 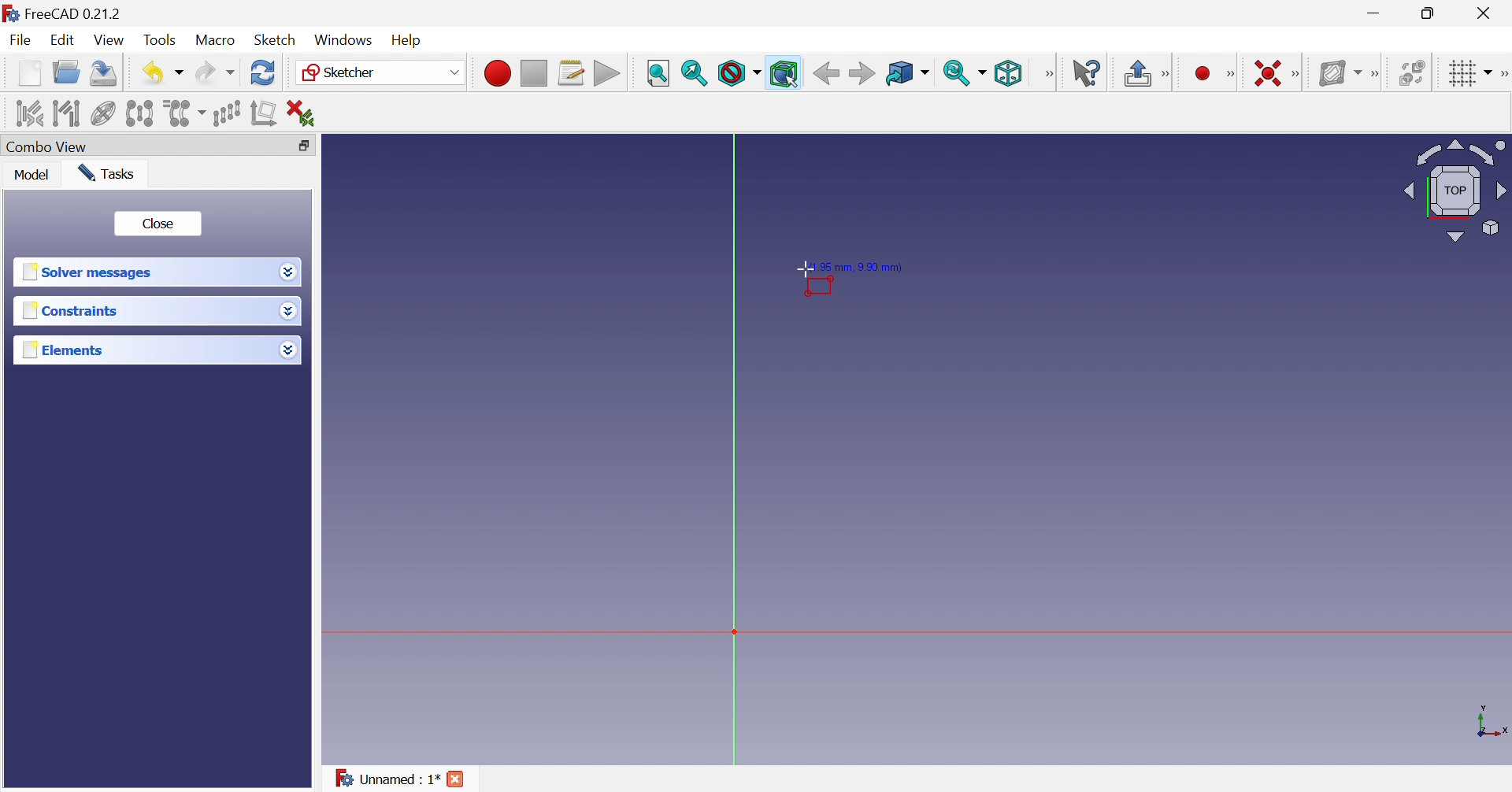 What do you see at coordinates (1469, 72) in the screenshot?
I see `Toggle grid` at bounding box center [1469, 72].